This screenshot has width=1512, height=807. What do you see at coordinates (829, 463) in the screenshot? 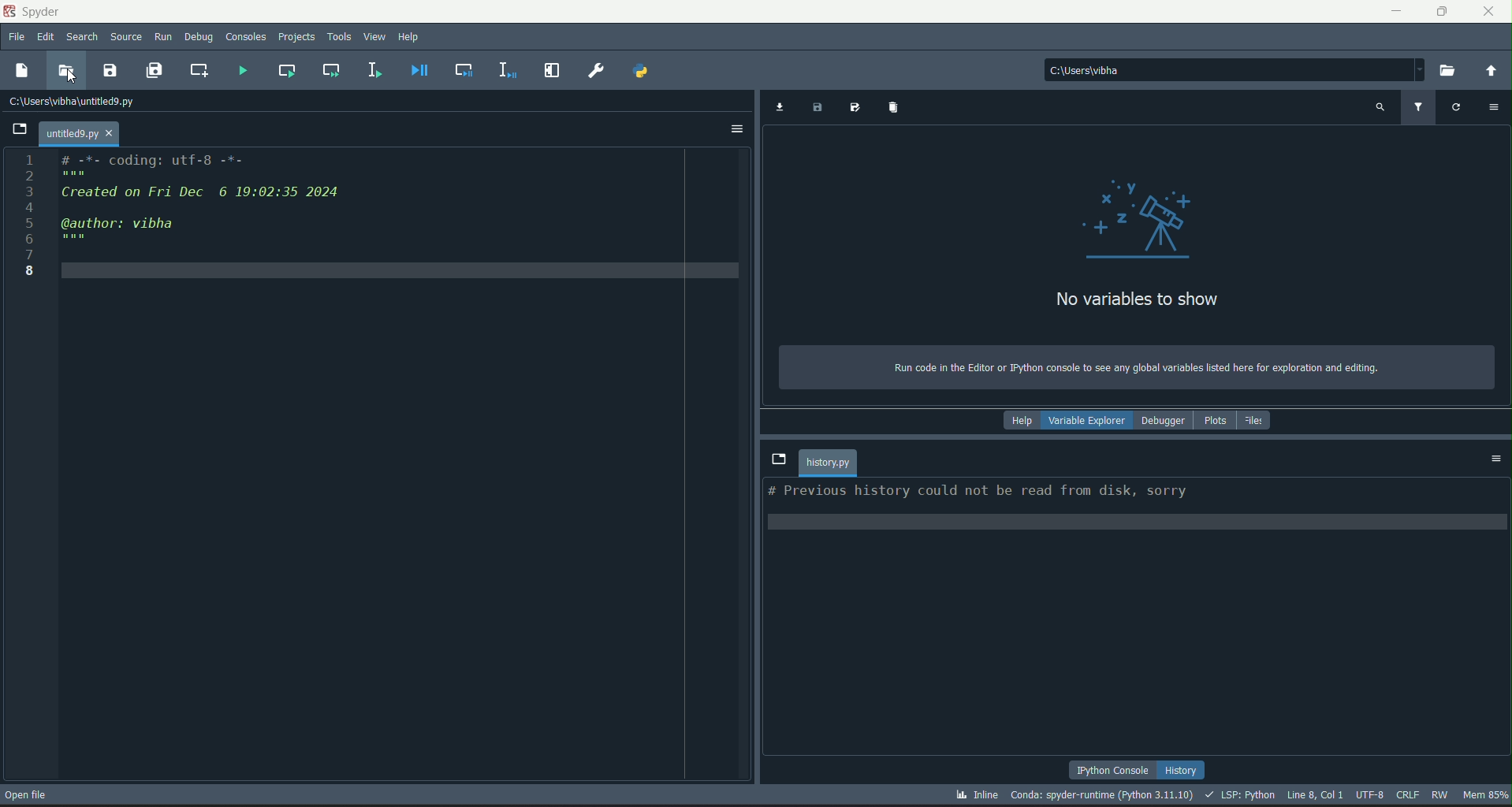
I see `file name` at bounding box center [829, 463].